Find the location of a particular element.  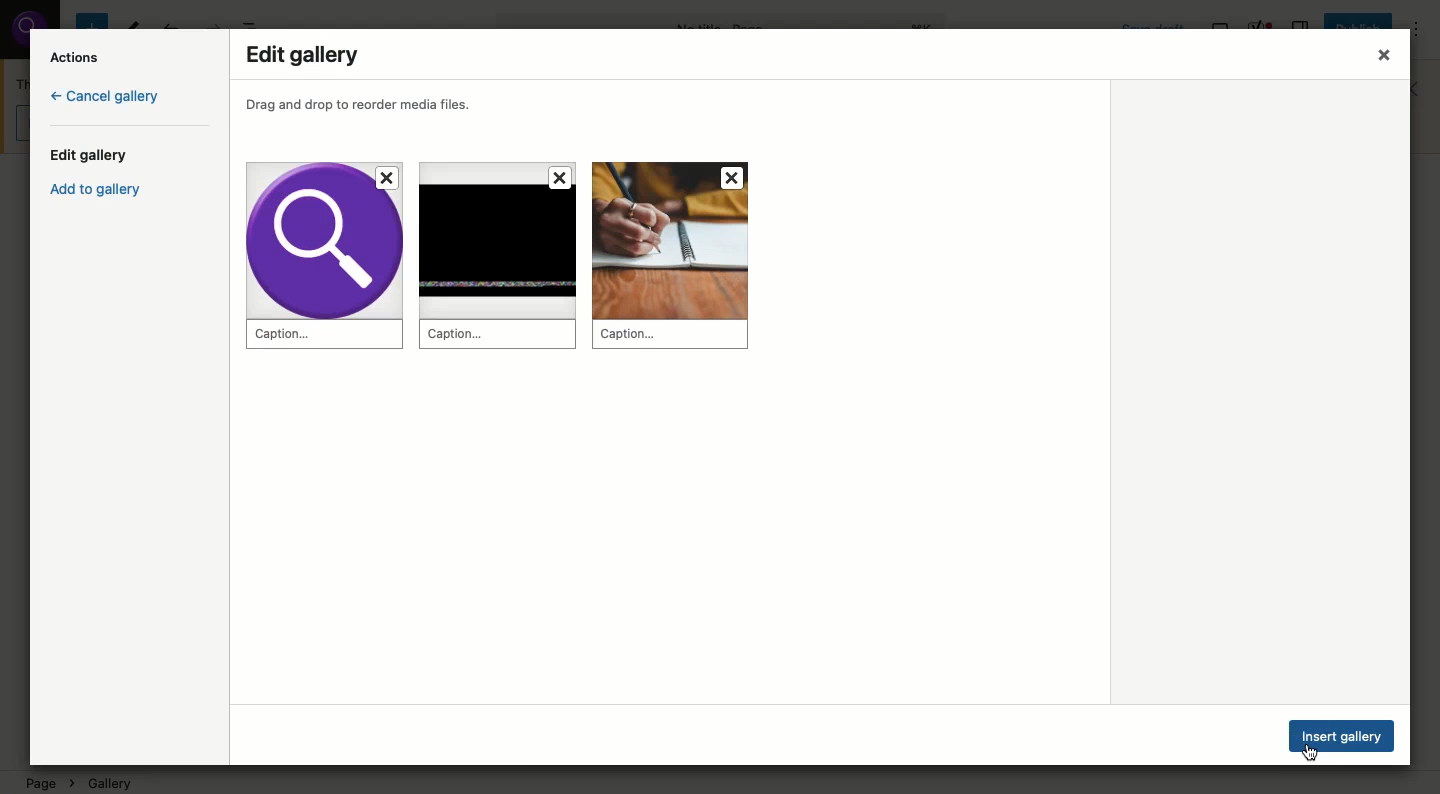

Close is located at coordinates (1370, 52).